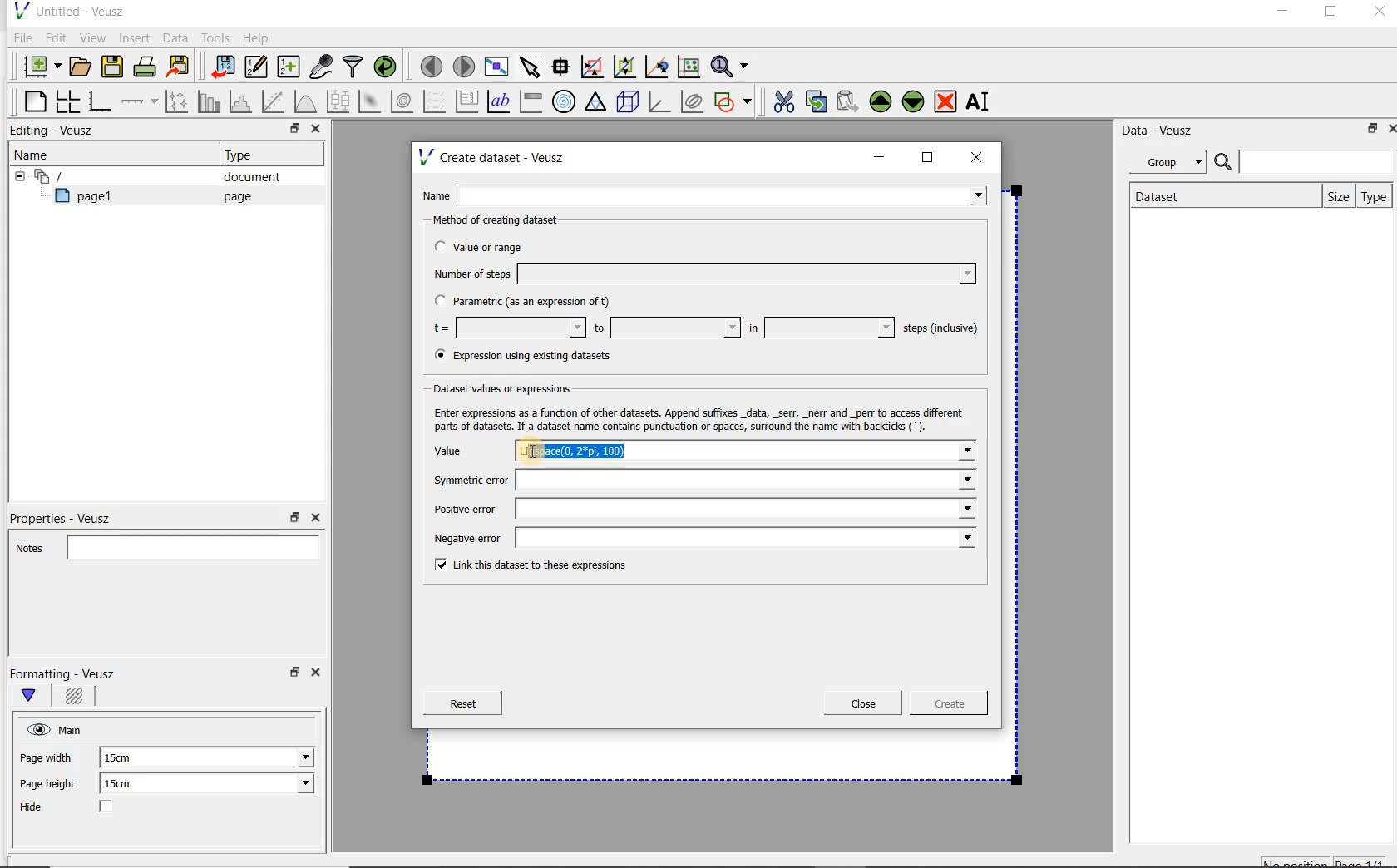 The width and height of the screenshot is (1397, 868). What do you see at coordinates (82, 808) in the screenshot?
I see `Hide` at bounding box center [82, 808].